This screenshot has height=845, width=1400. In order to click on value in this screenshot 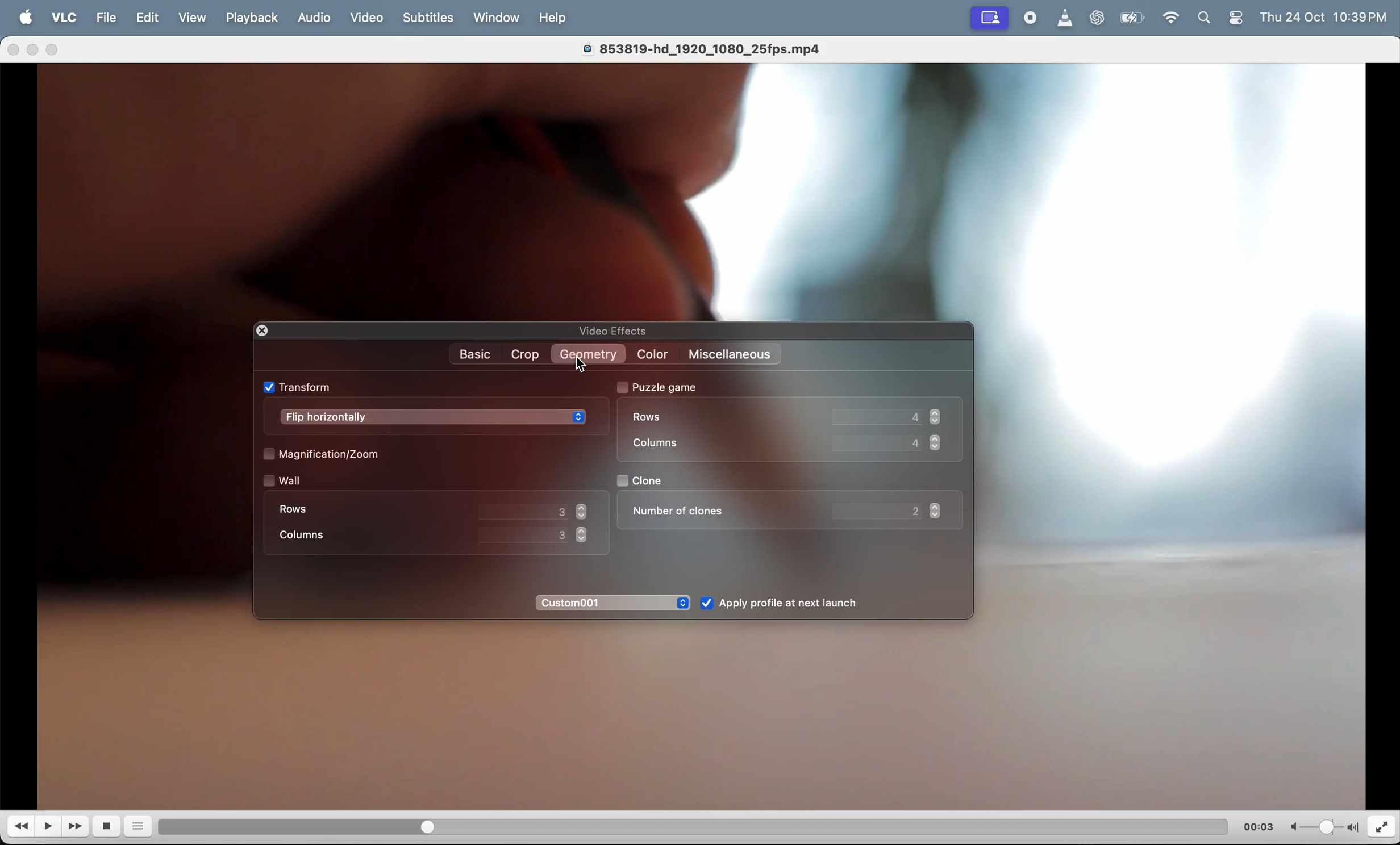, I will do `click(536, 512)`.